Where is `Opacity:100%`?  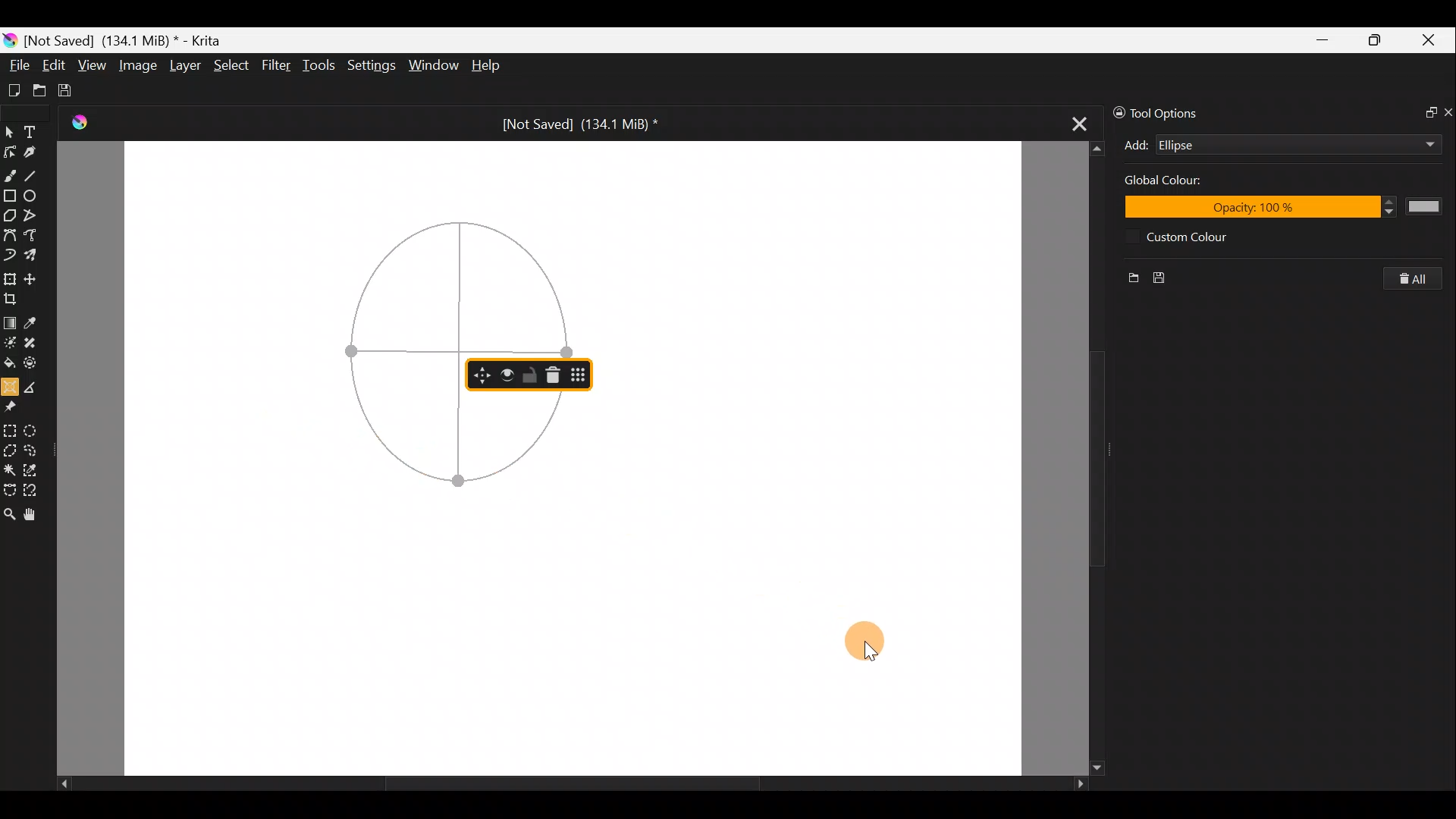
Opacity:100% is located at coordinates (1291, 207).